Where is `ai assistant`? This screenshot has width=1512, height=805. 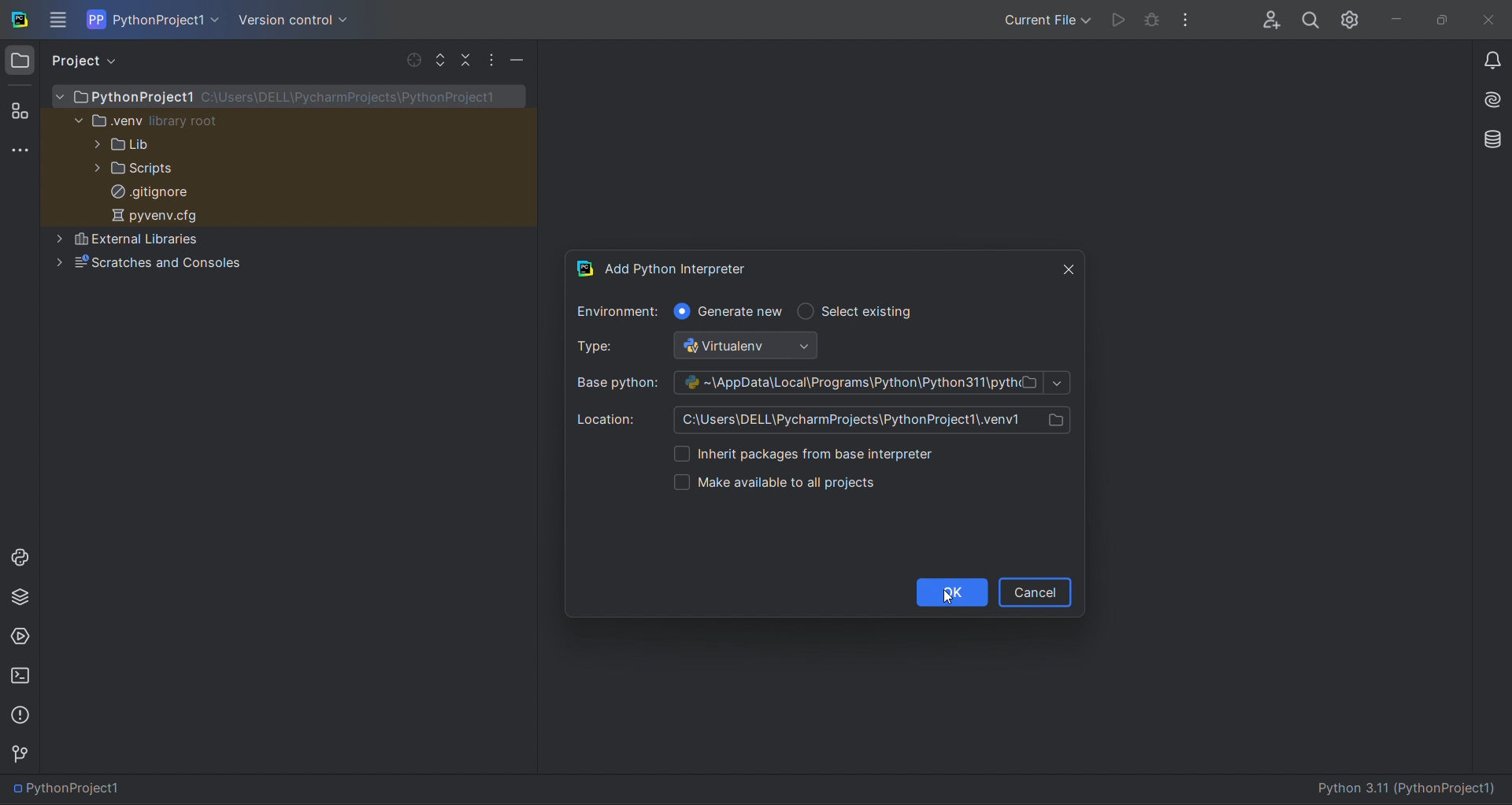 ai assistant is located at coordinates (1487, 102).